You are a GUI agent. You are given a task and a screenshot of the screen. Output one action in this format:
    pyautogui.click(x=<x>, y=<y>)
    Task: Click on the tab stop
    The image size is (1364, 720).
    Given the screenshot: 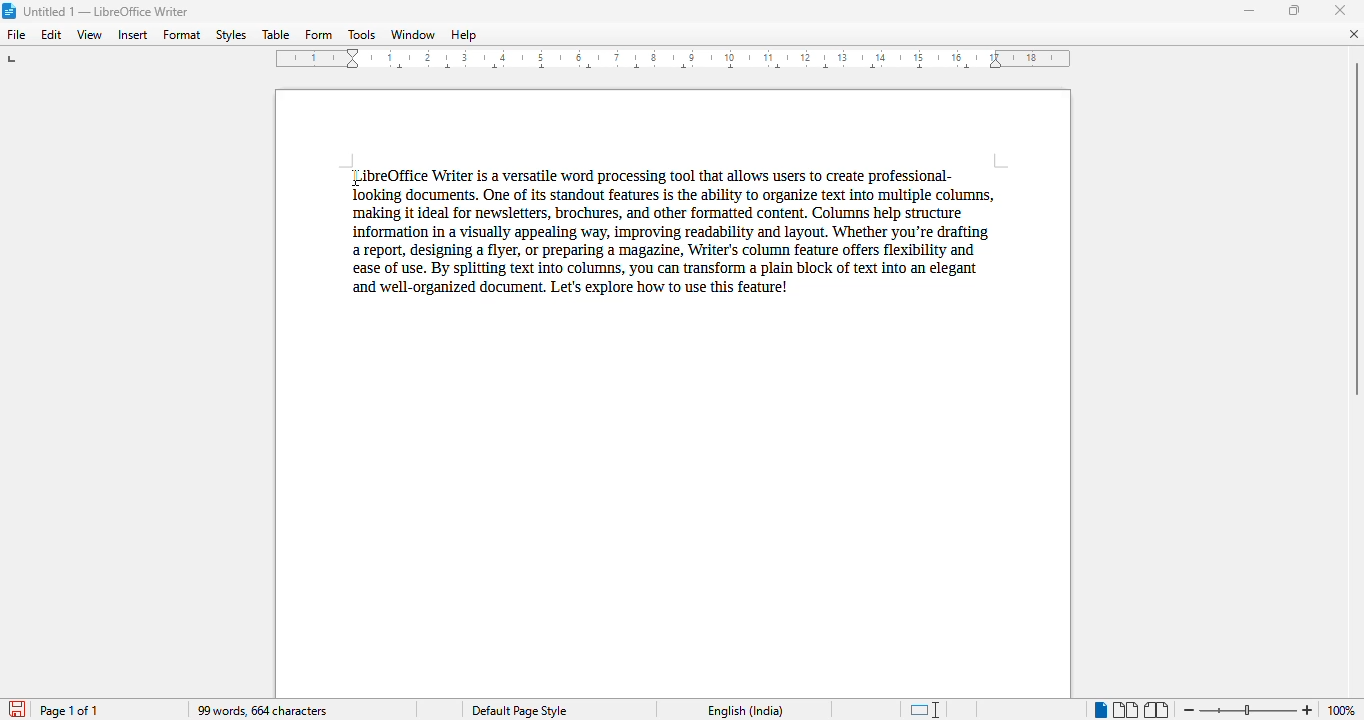 What is the action you would take?
    pyautogui.click(x=17, y=61)
    